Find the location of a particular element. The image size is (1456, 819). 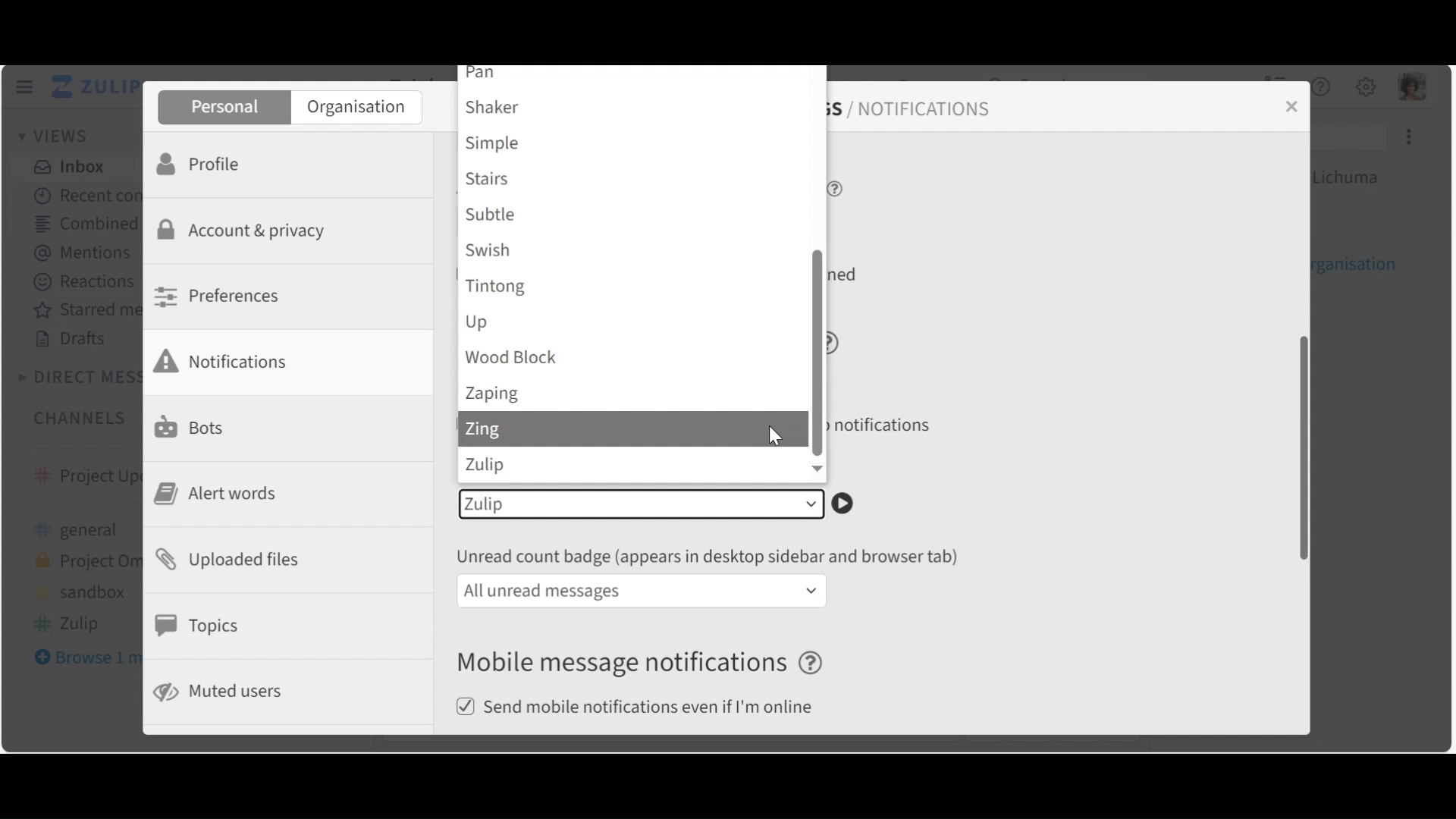

Personal is located at coordinates (222, 108).